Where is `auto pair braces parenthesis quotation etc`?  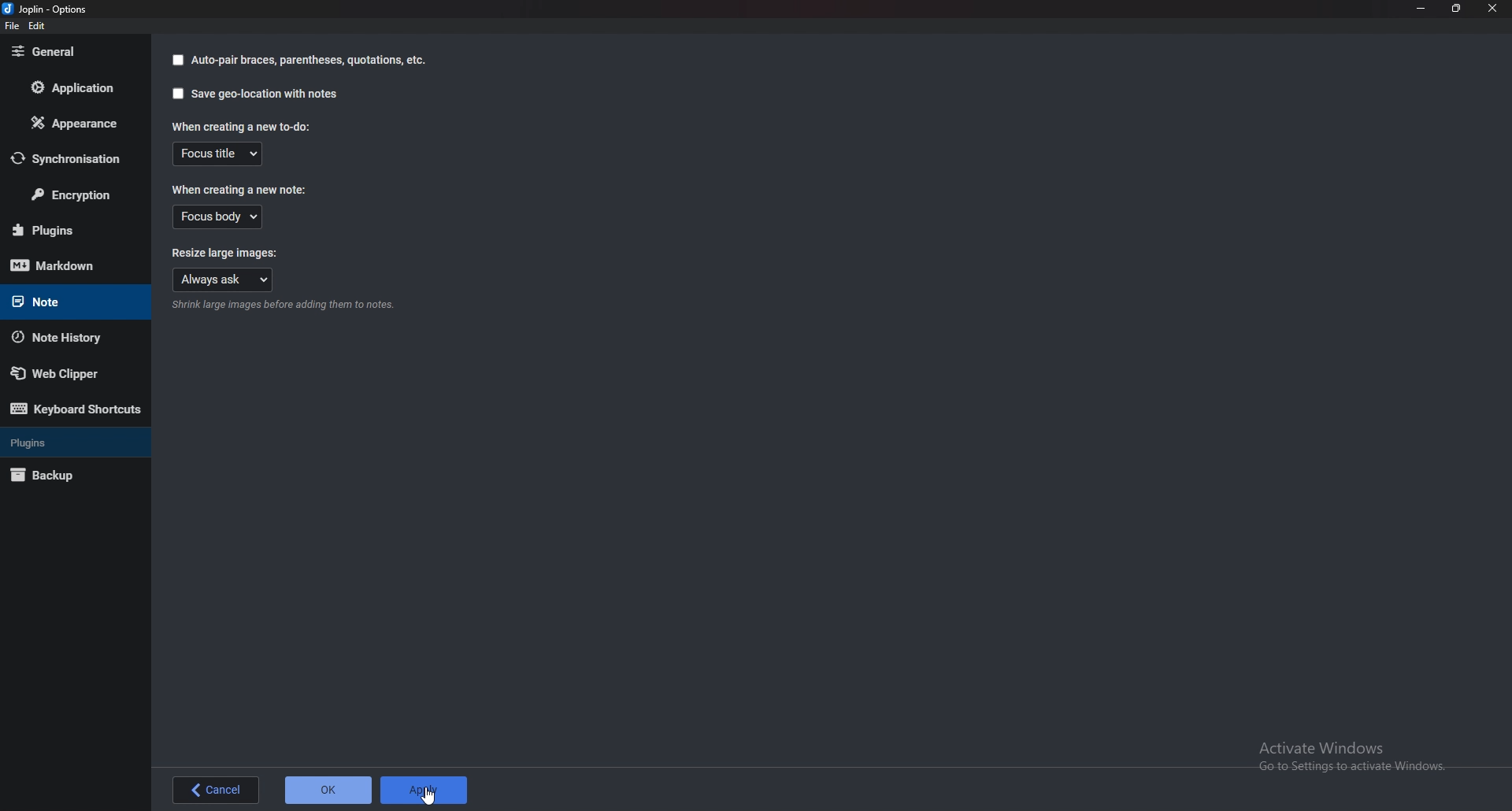 auto pair braces parenthesis quotation etc is located at coordinates (309, 61).